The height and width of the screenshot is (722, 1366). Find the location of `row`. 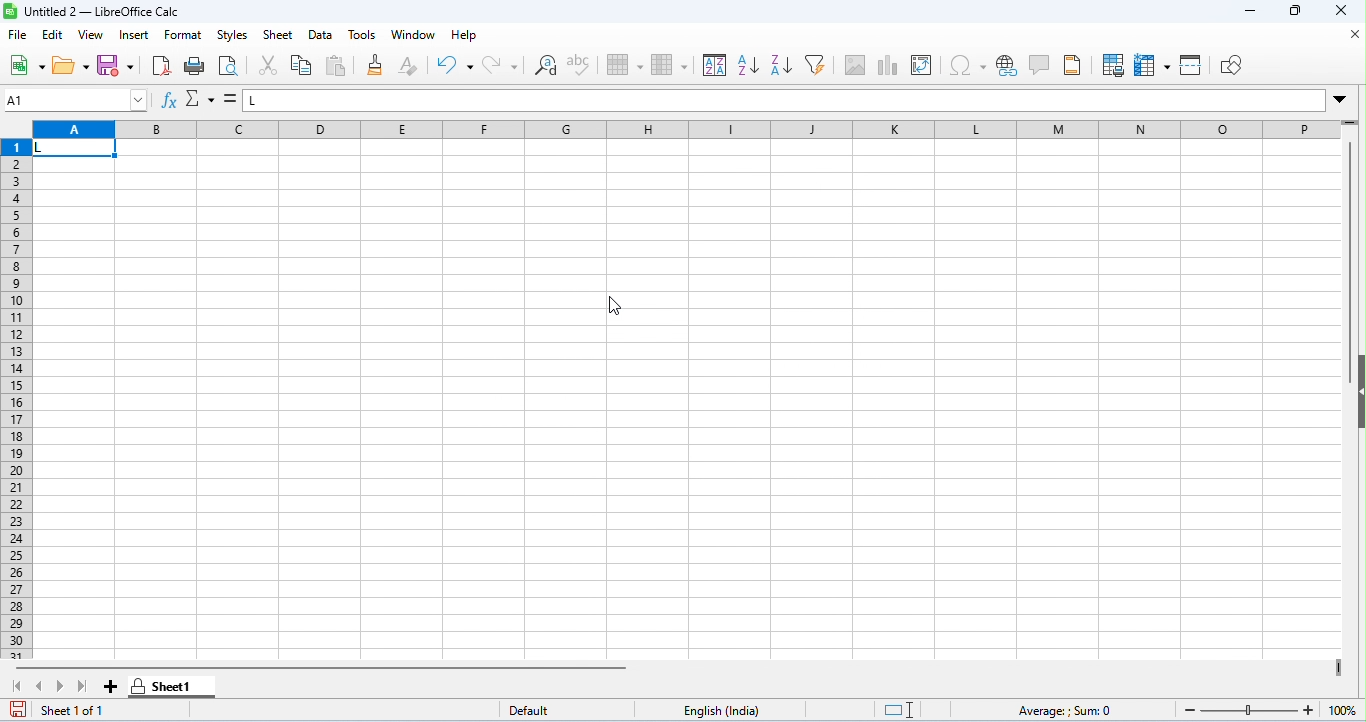

row is located at coordinates (620, 65).